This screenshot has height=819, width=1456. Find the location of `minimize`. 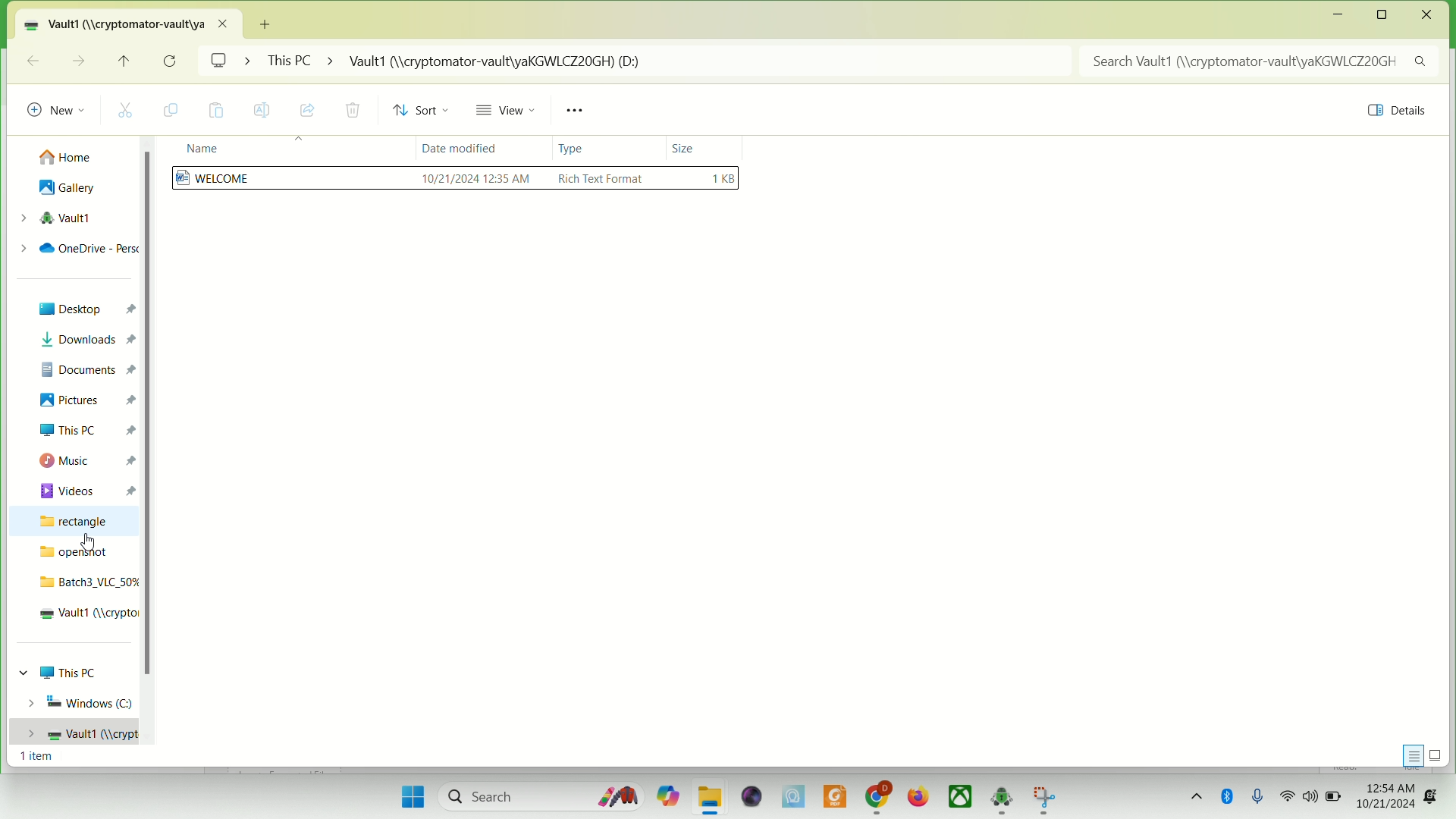

minimize is located at coordinates (1338, 16).